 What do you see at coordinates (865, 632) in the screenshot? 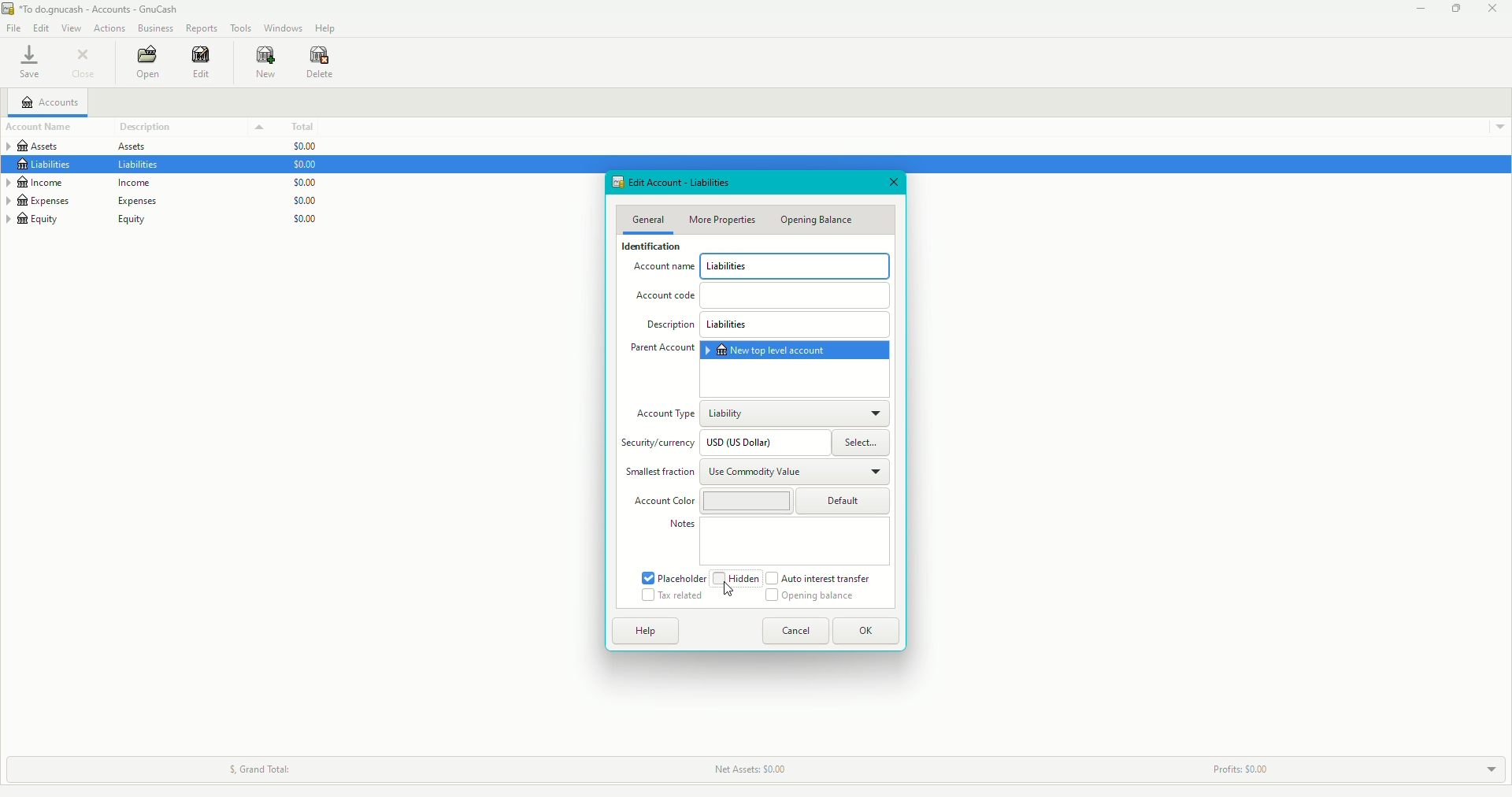
I see `OK` at bounding box center [865, 632].